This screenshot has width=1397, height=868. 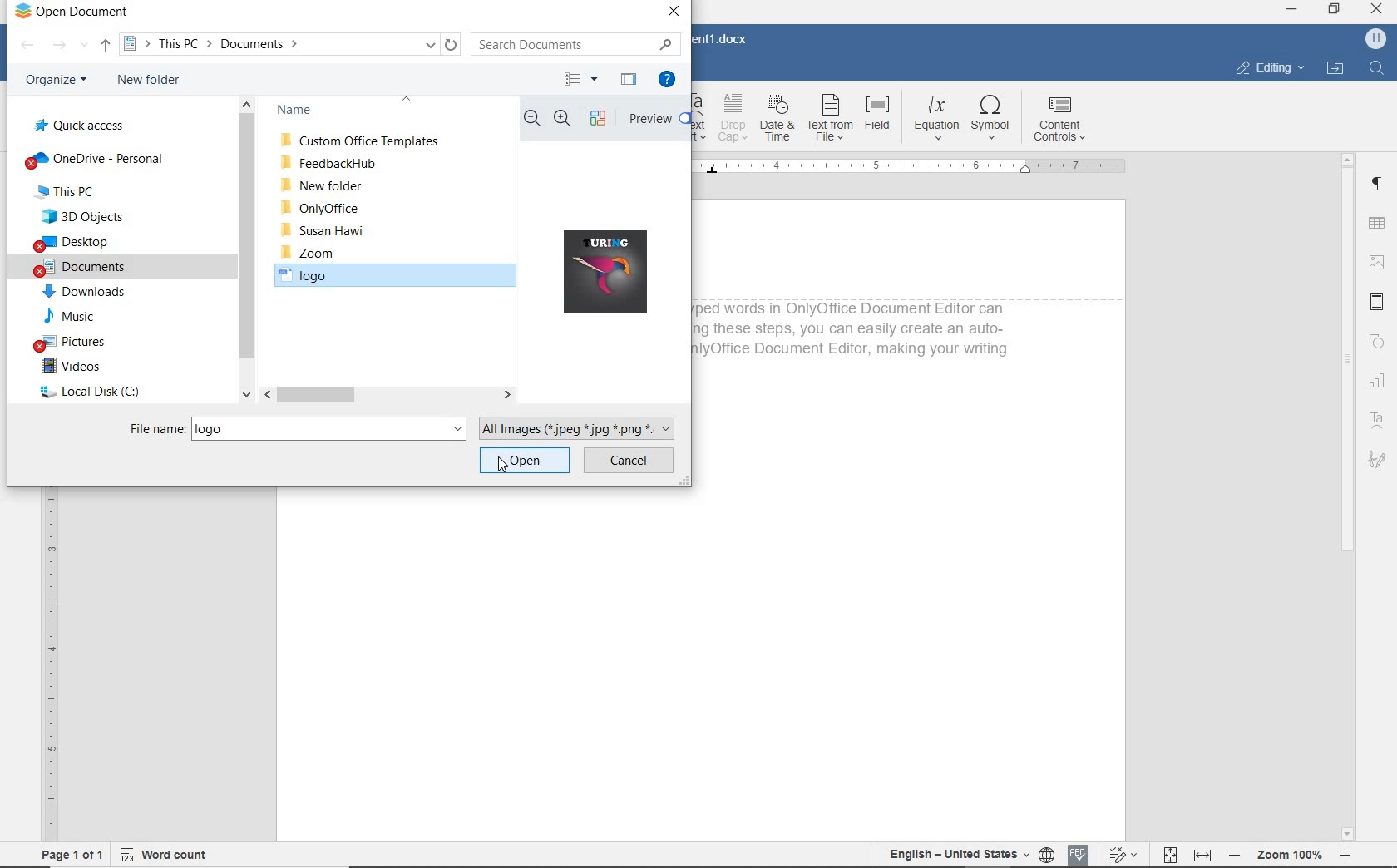 What do you see at coordinates (1202, 855) in the screenshot?
I see `FIT TO WIDTH` at bounding box center [1202, 855].